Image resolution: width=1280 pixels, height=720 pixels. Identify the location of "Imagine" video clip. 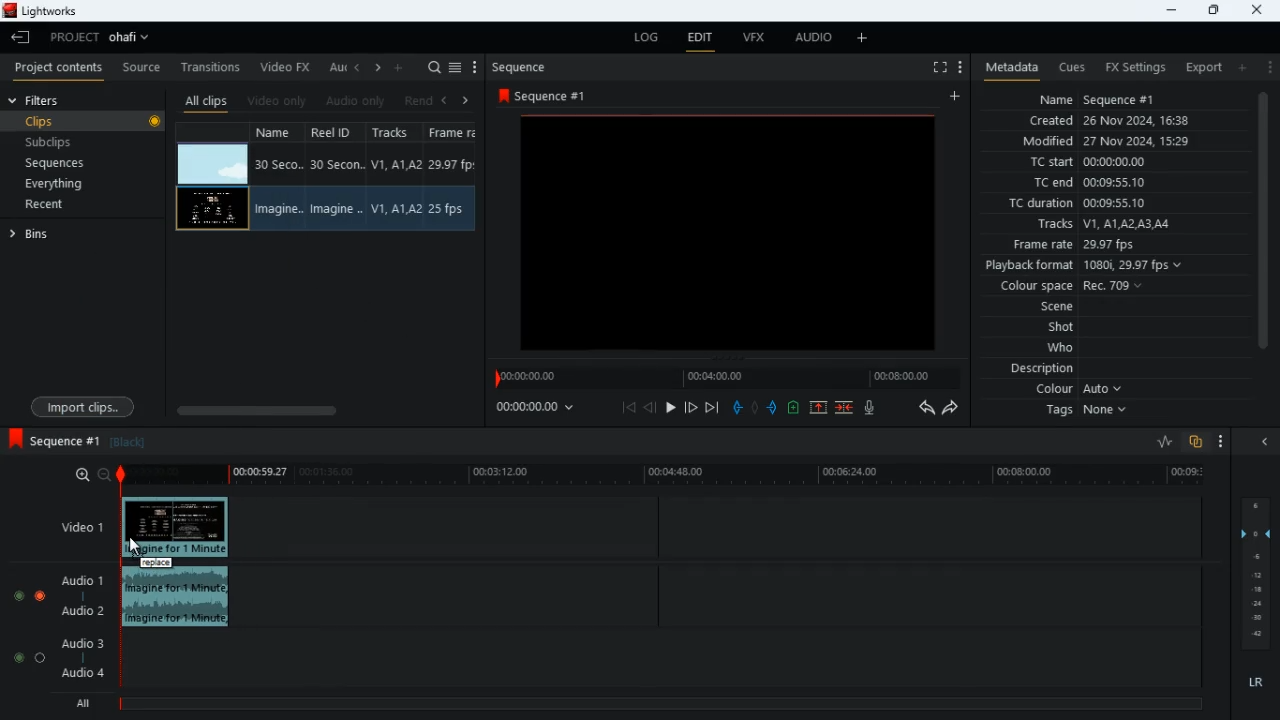
(177, 530).